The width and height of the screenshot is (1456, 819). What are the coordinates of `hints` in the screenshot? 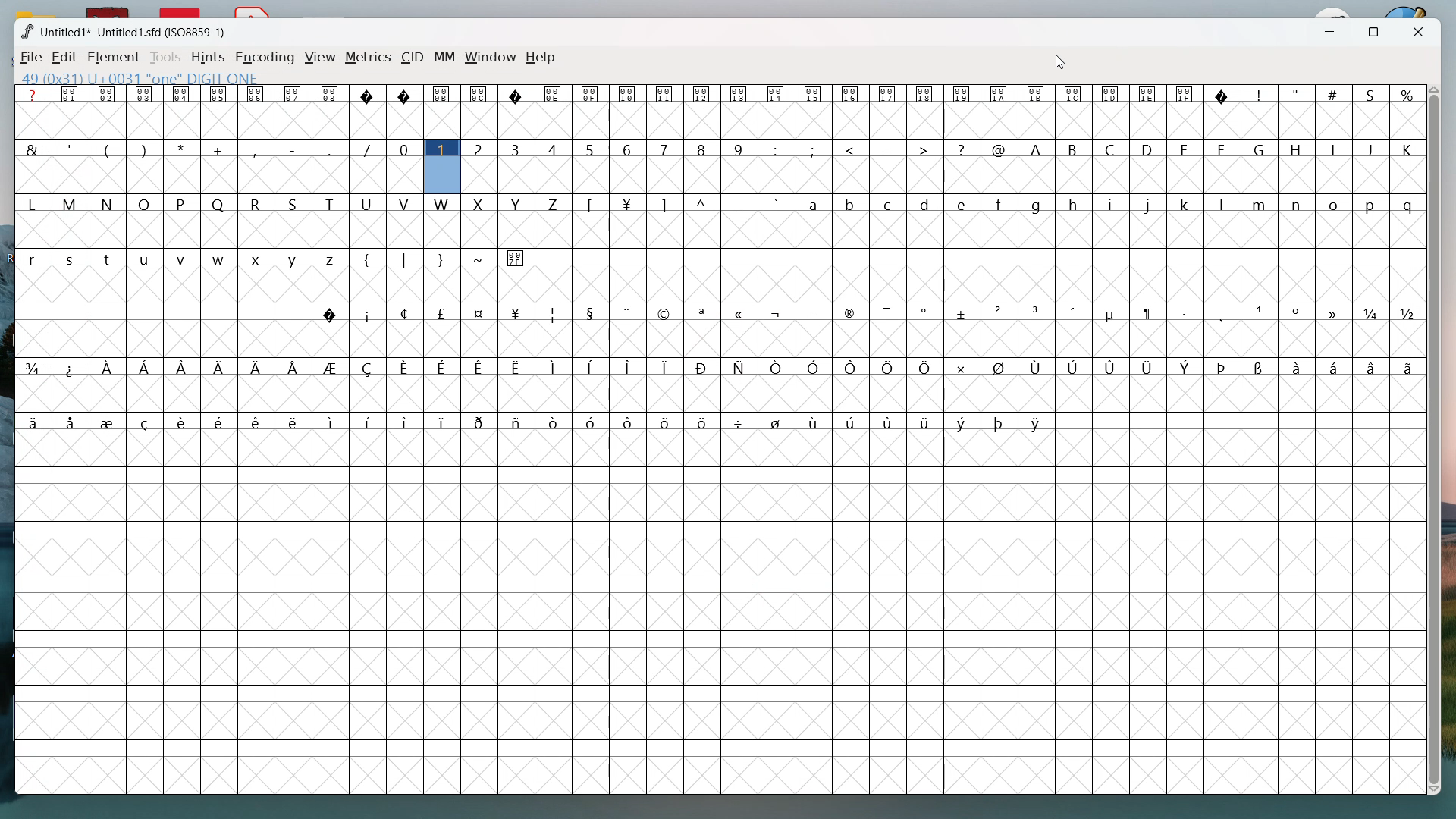 It's located at (207, 57).